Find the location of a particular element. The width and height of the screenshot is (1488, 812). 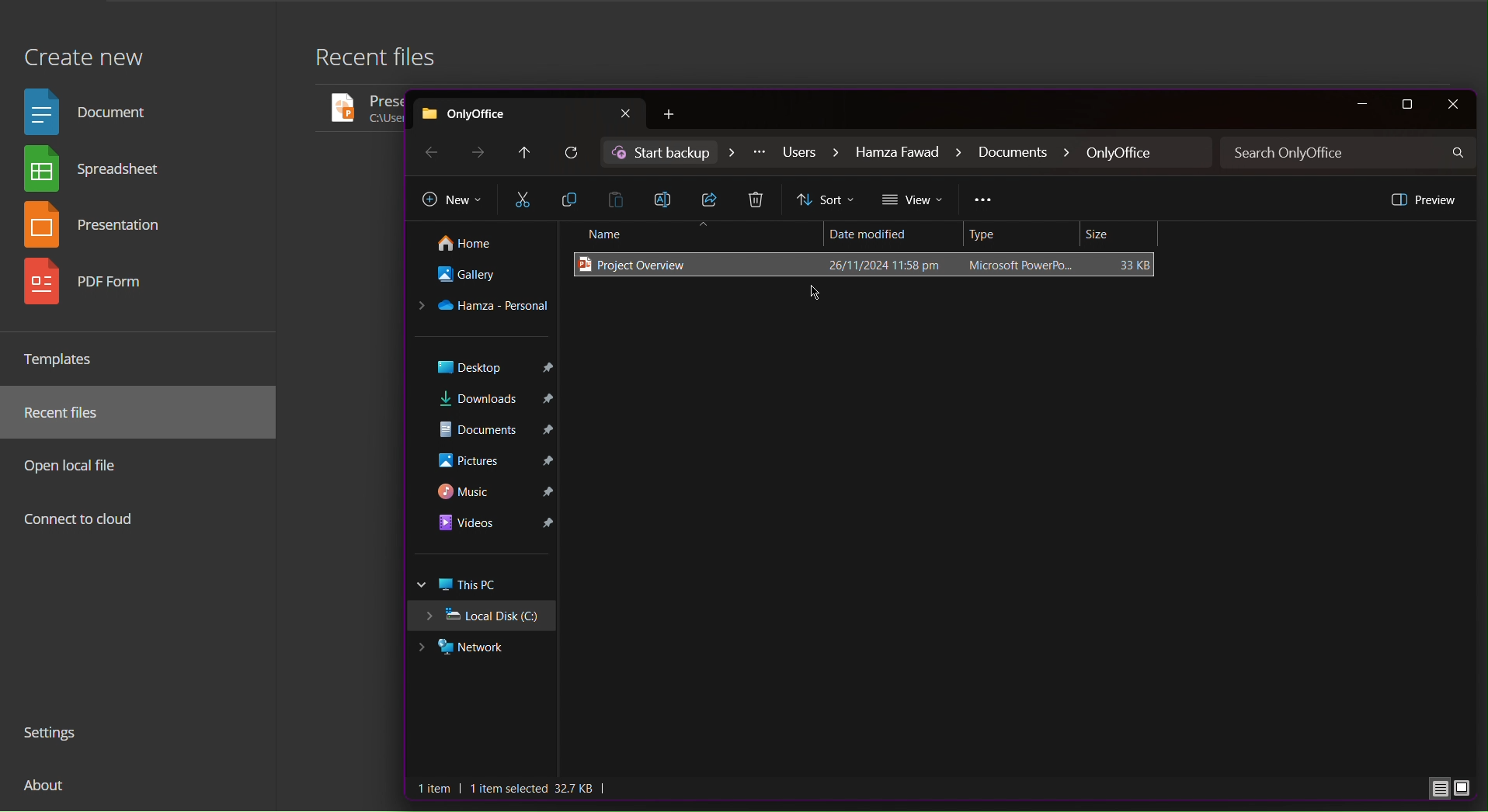

New name is located at coordinates (646, 265).